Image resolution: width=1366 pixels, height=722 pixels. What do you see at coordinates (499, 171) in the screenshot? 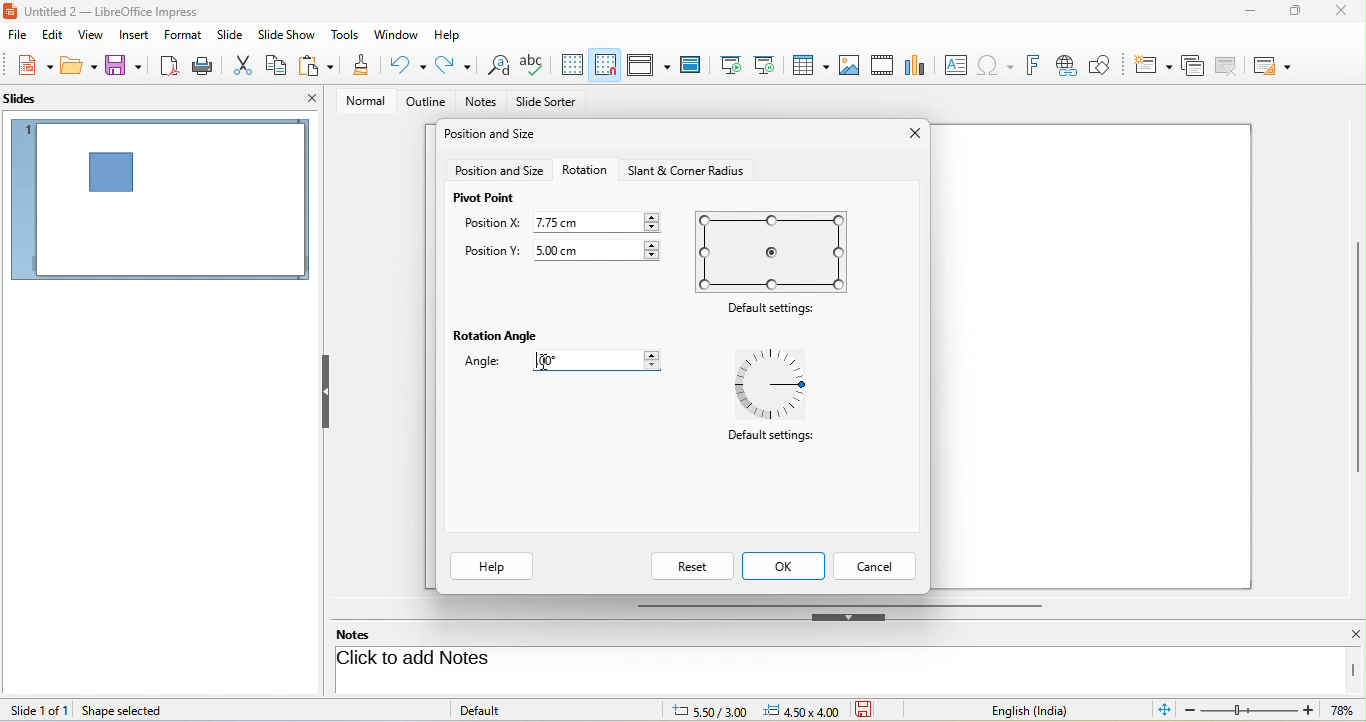
I see `position and size` at bounding box center [499, 171].